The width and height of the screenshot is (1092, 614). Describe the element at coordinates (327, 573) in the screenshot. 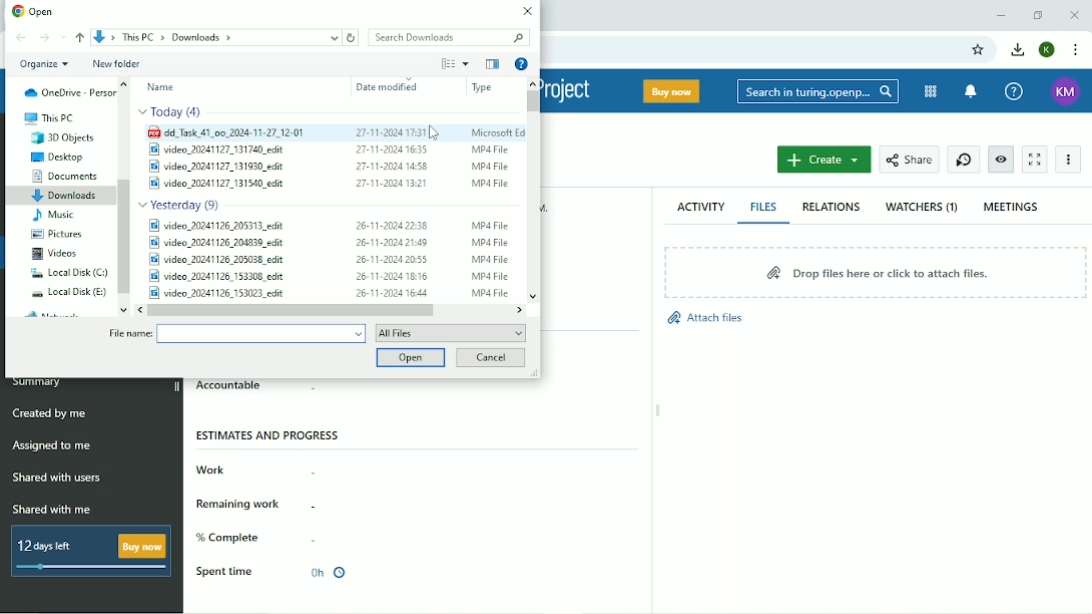

I see `0h` at that location.